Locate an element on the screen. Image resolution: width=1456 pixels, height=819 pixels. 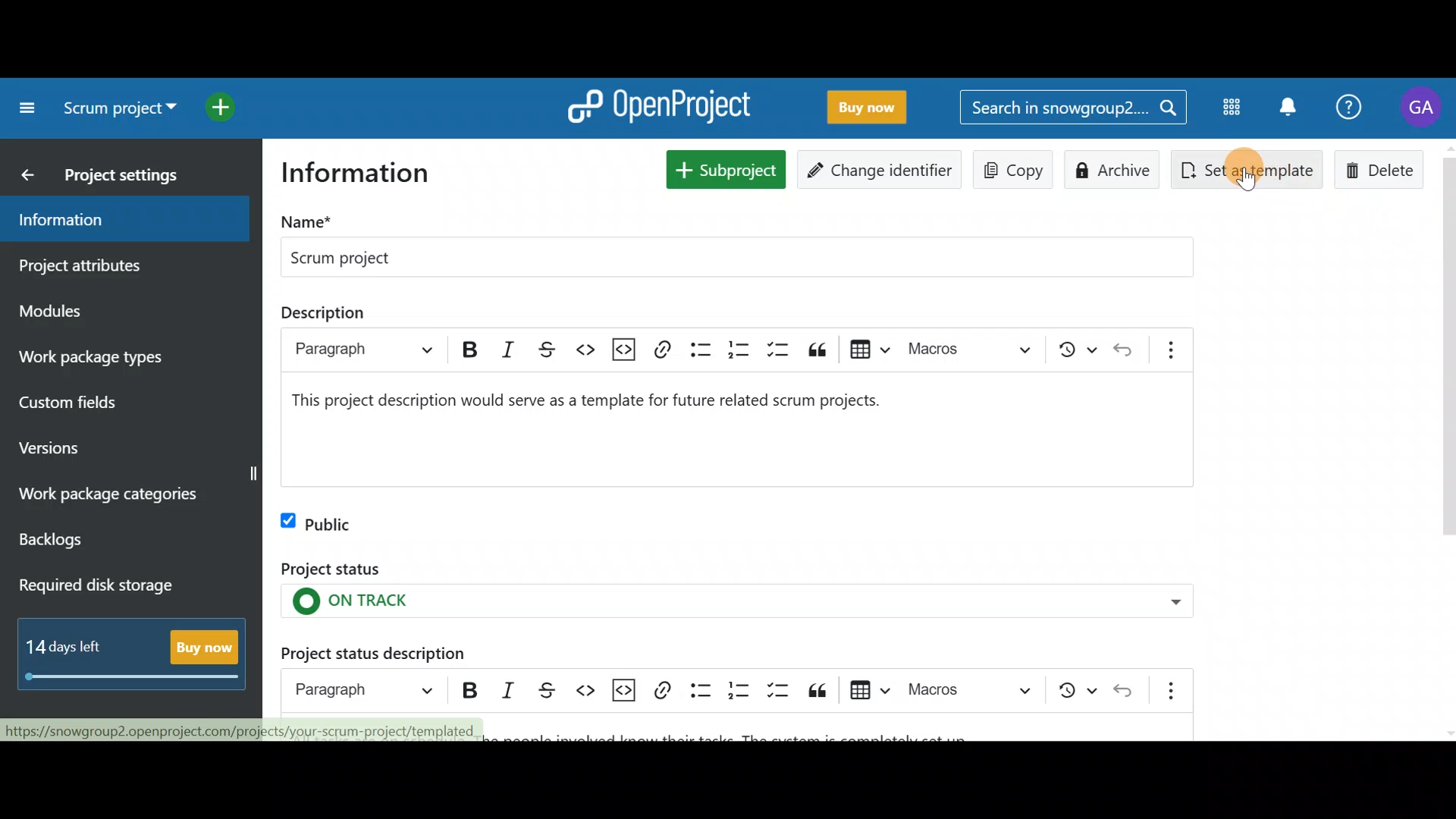
Public is located at coordinates (328, 523).